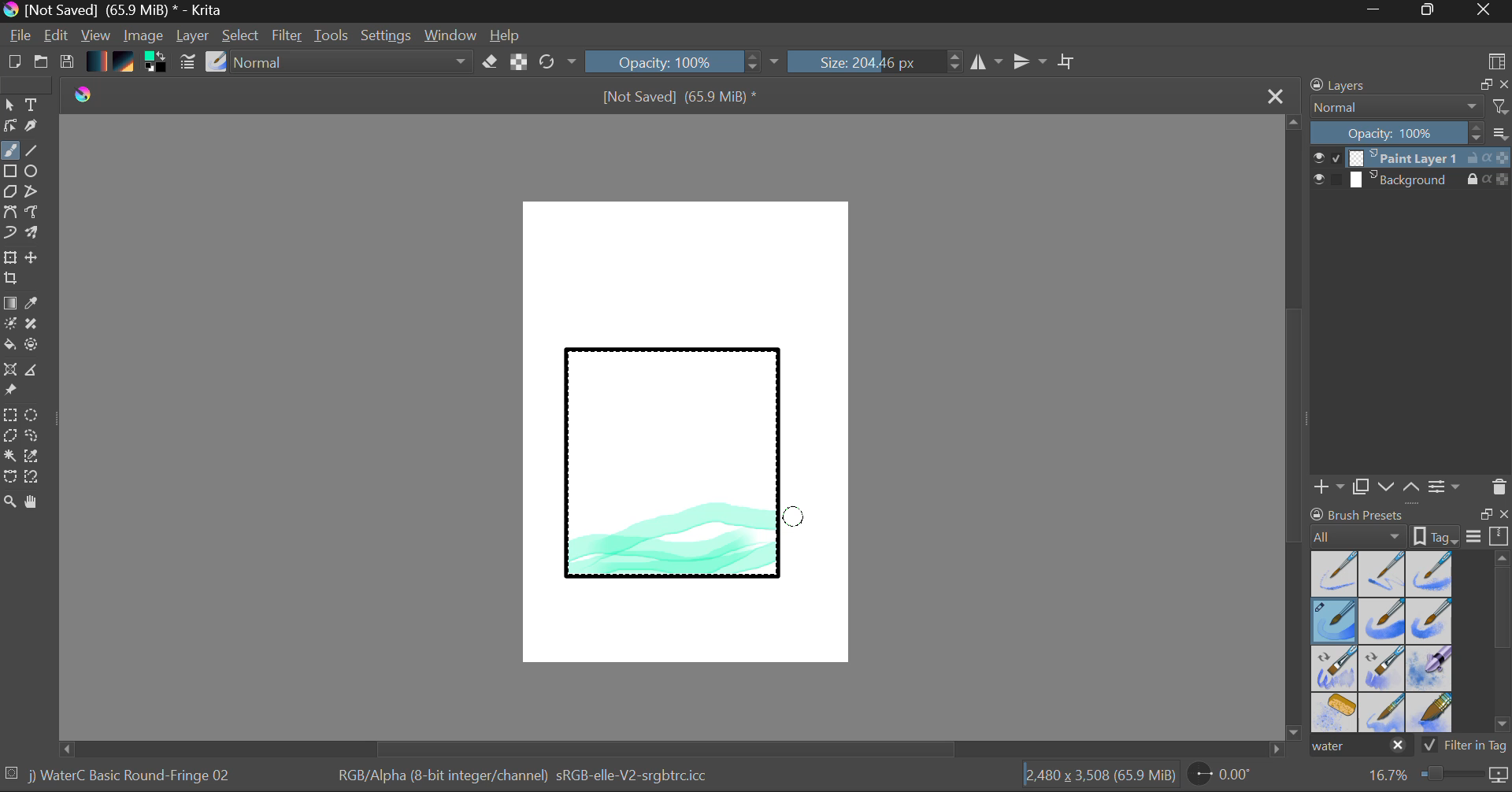 Image resolution: width=1512 pixels, height=792 pixels. Describe the element at coordinates (1445, 486) in the screenshot. I see `Layer Settings` at that location.